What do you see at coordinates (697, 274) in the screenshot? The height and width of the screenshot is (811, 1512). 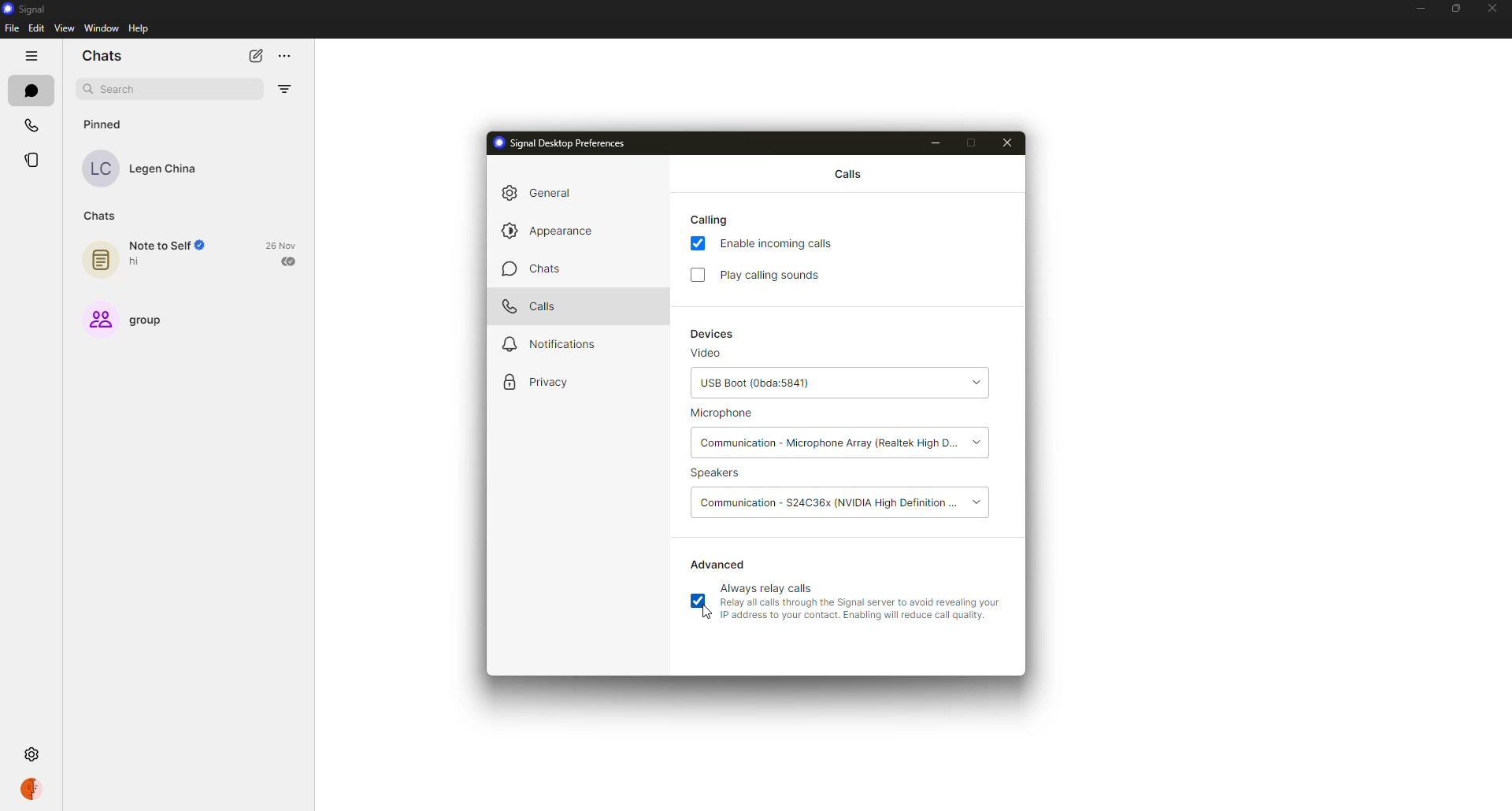 I see `click to enable` at bounding box center [697, 274].